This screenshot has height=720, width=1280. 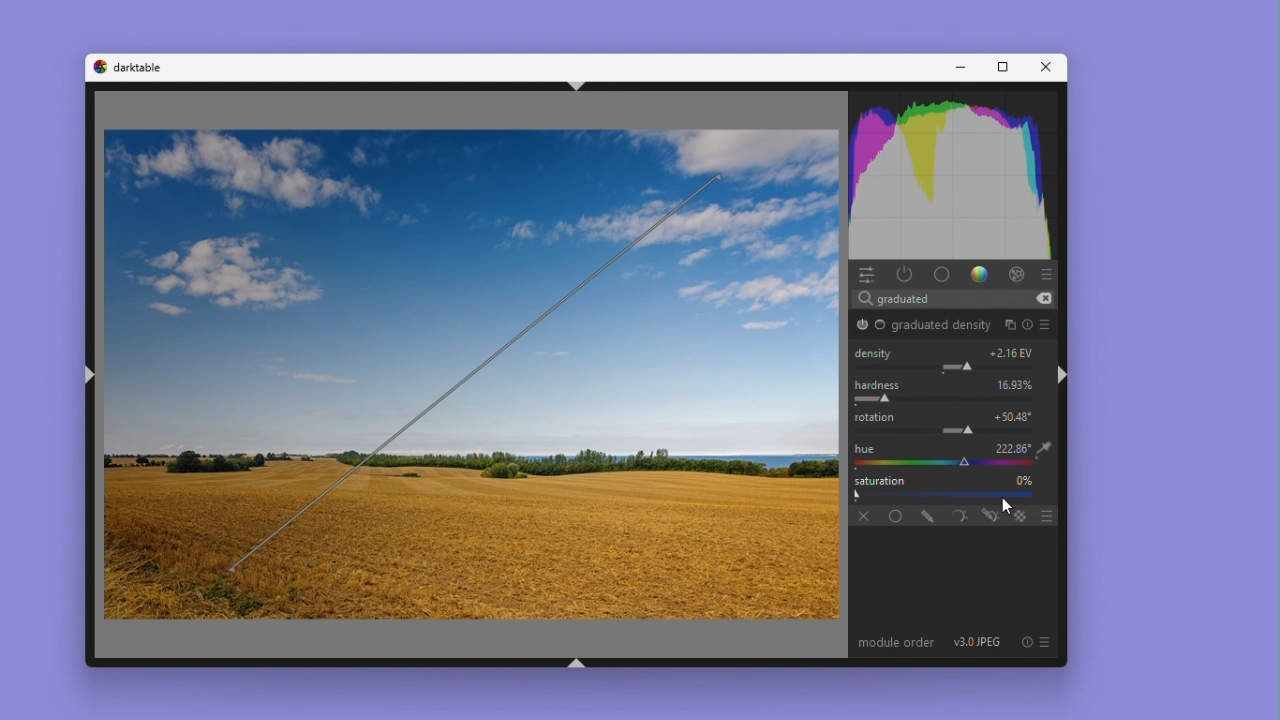 I want to click on Minimise, so click(x=959, y=67).